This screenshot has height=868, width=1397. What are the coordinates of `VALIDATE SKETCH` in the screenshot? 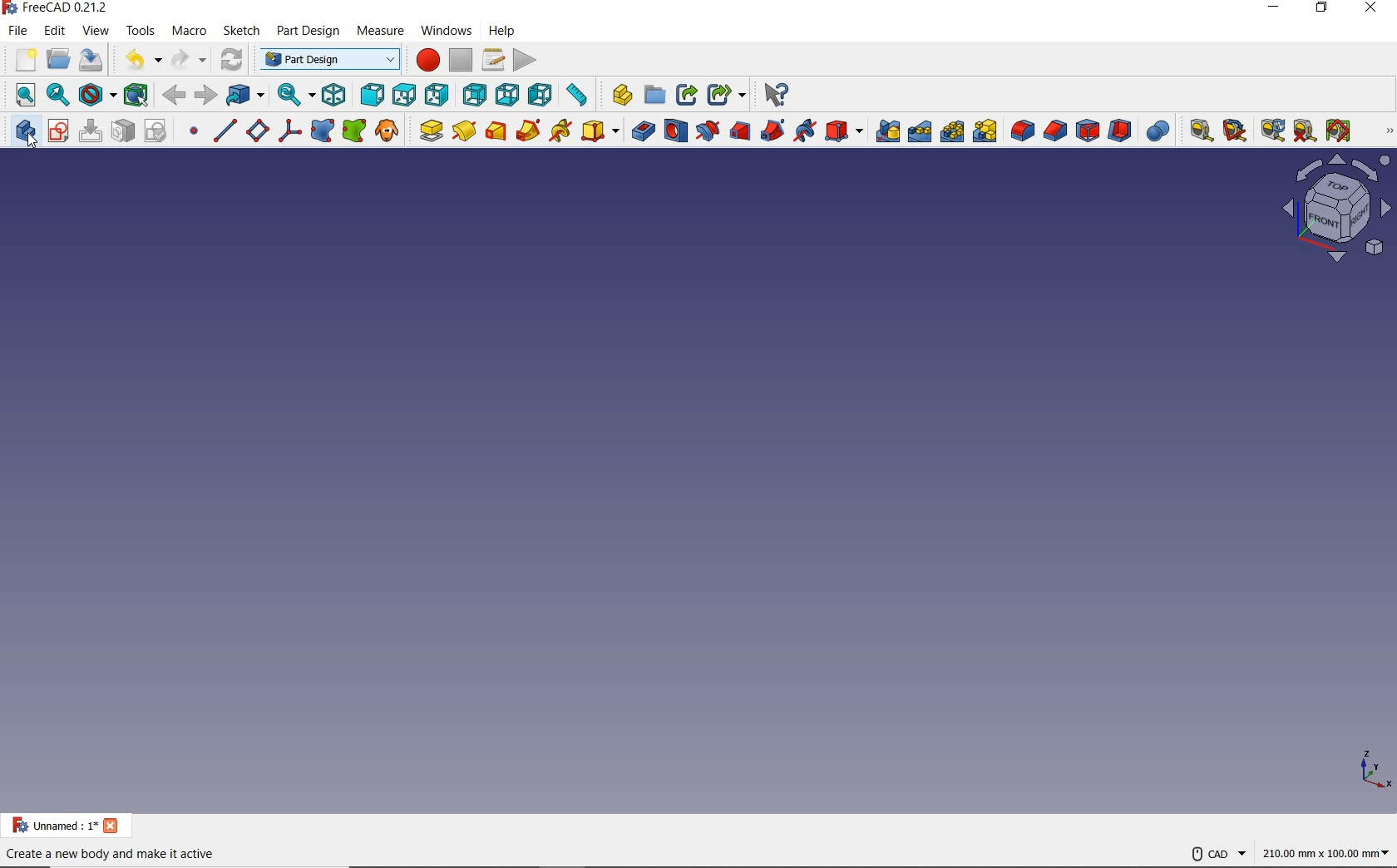 It's located at (155, 131).